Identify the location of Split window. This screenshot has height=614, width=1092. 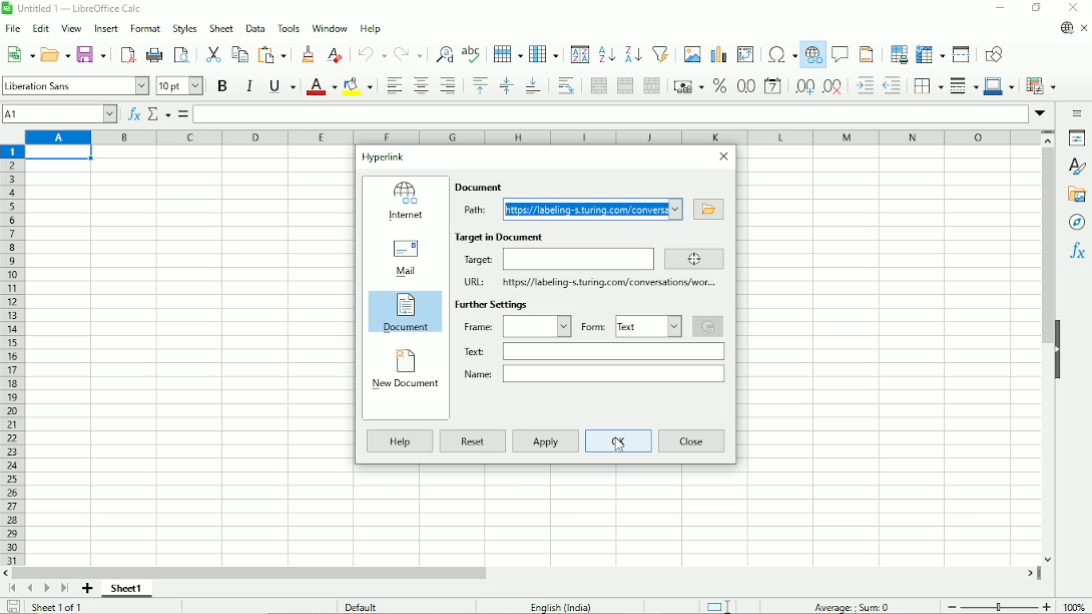
(962, 55).